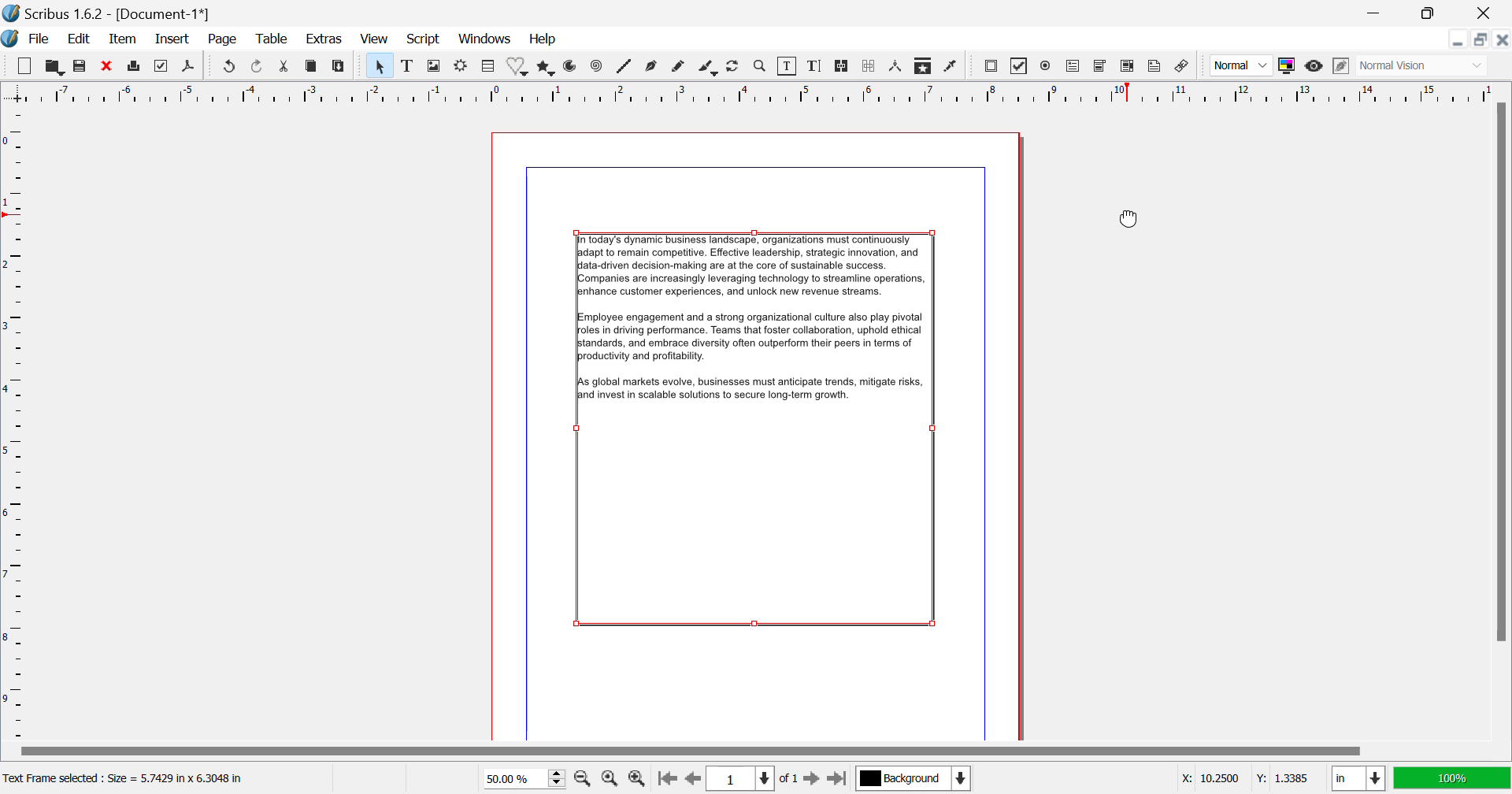 The height and width of the screenshot is (794, 1512). I want to click on Refresh, so click(736, 67).